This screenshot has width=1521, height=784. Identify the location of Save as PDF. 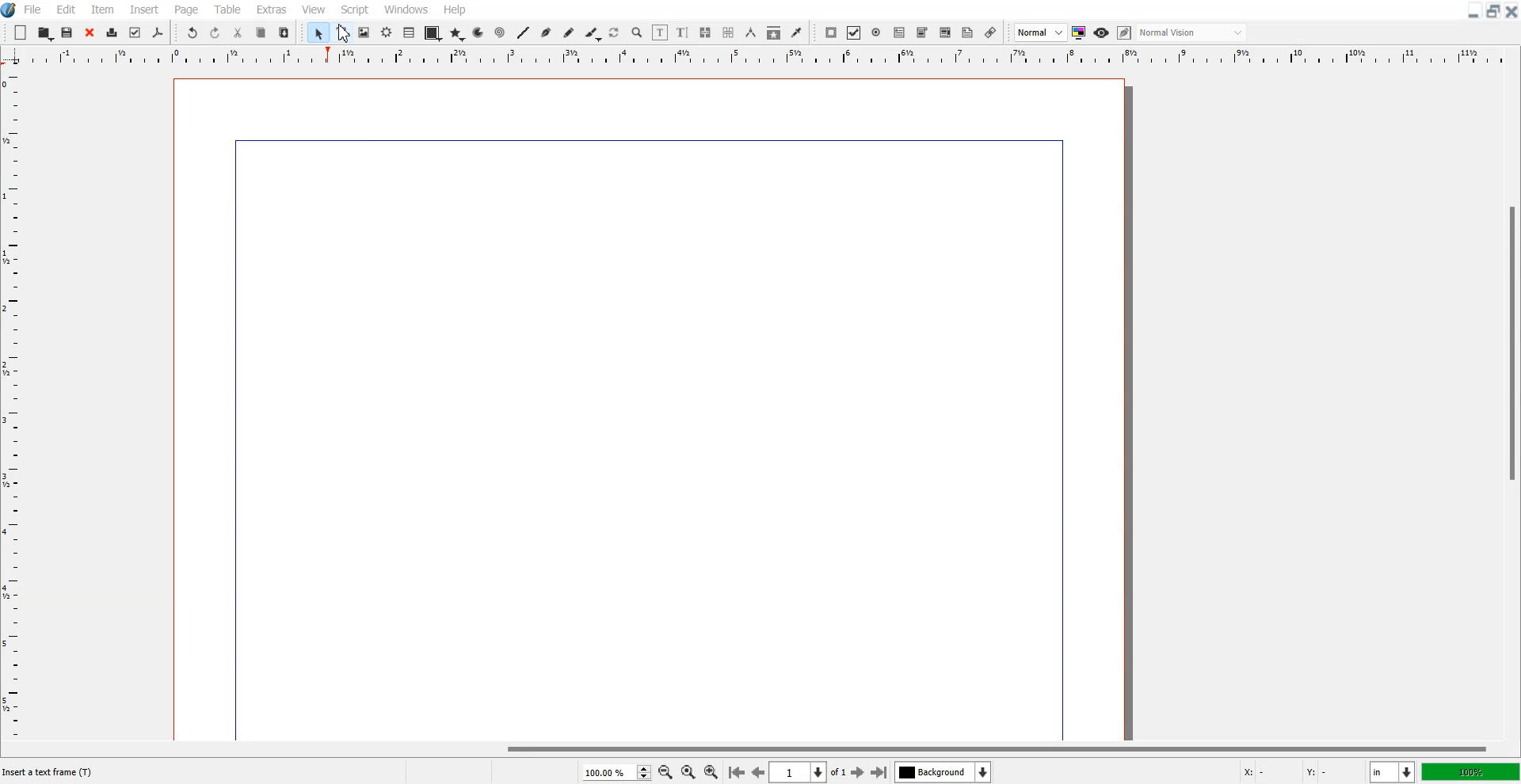
(158, 33).